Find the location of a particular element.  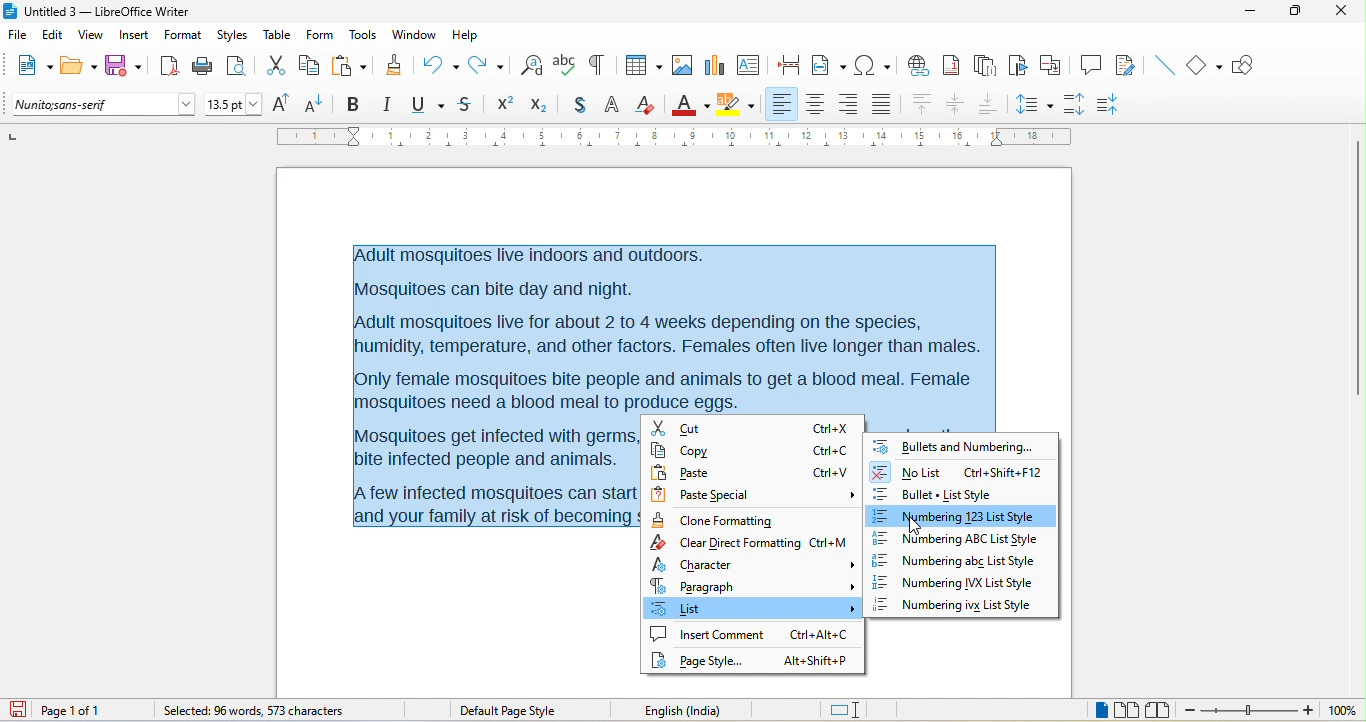

Untitled 3 — LibreOffice Writer is located at coordinates (105, 11).